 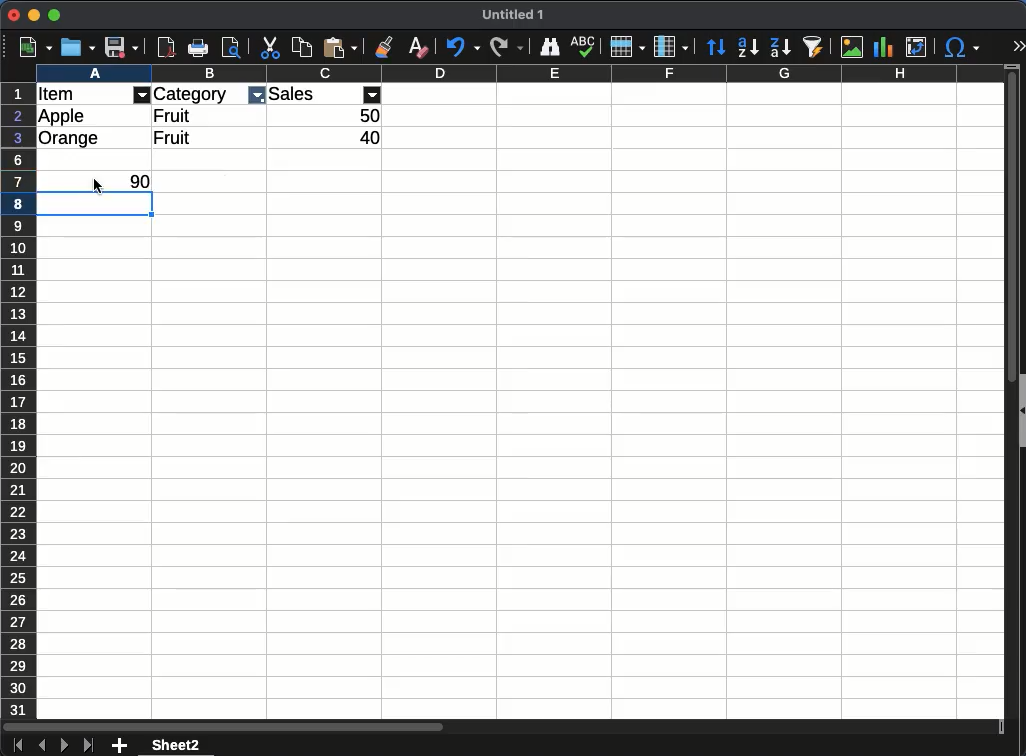 I want to click on Item, so click(x=56, y=94).